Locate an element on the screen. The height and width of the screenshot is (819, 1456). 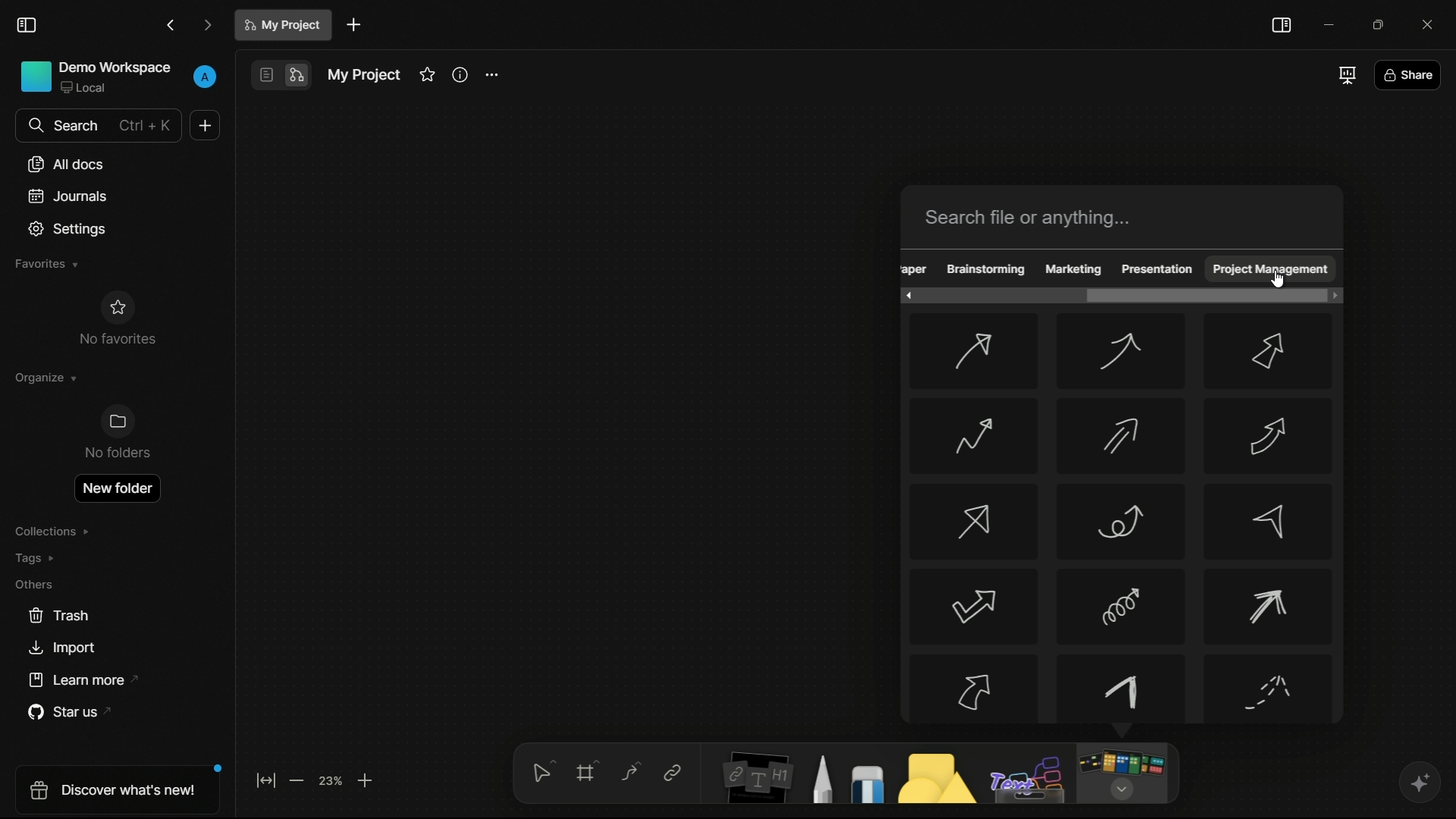
zoom factor is located at coordinates (331, 780).